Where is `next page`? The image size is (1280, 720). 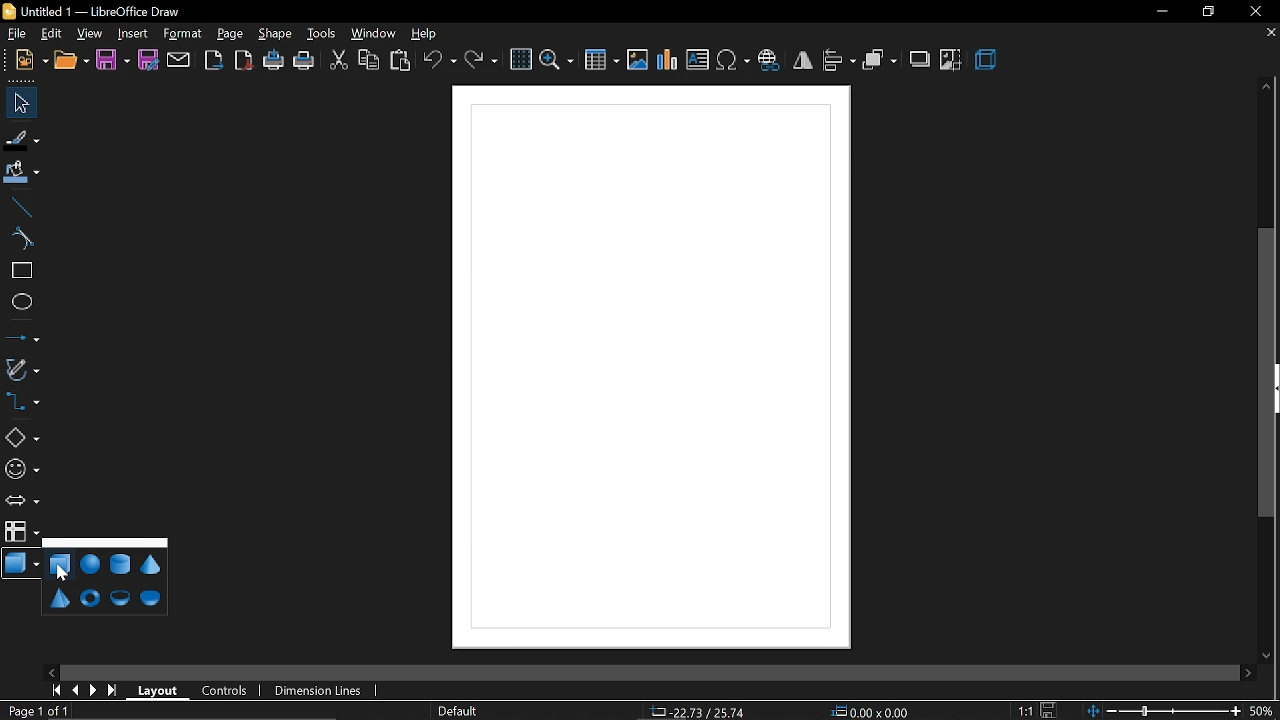
next page is located at coordinates (92, 690).